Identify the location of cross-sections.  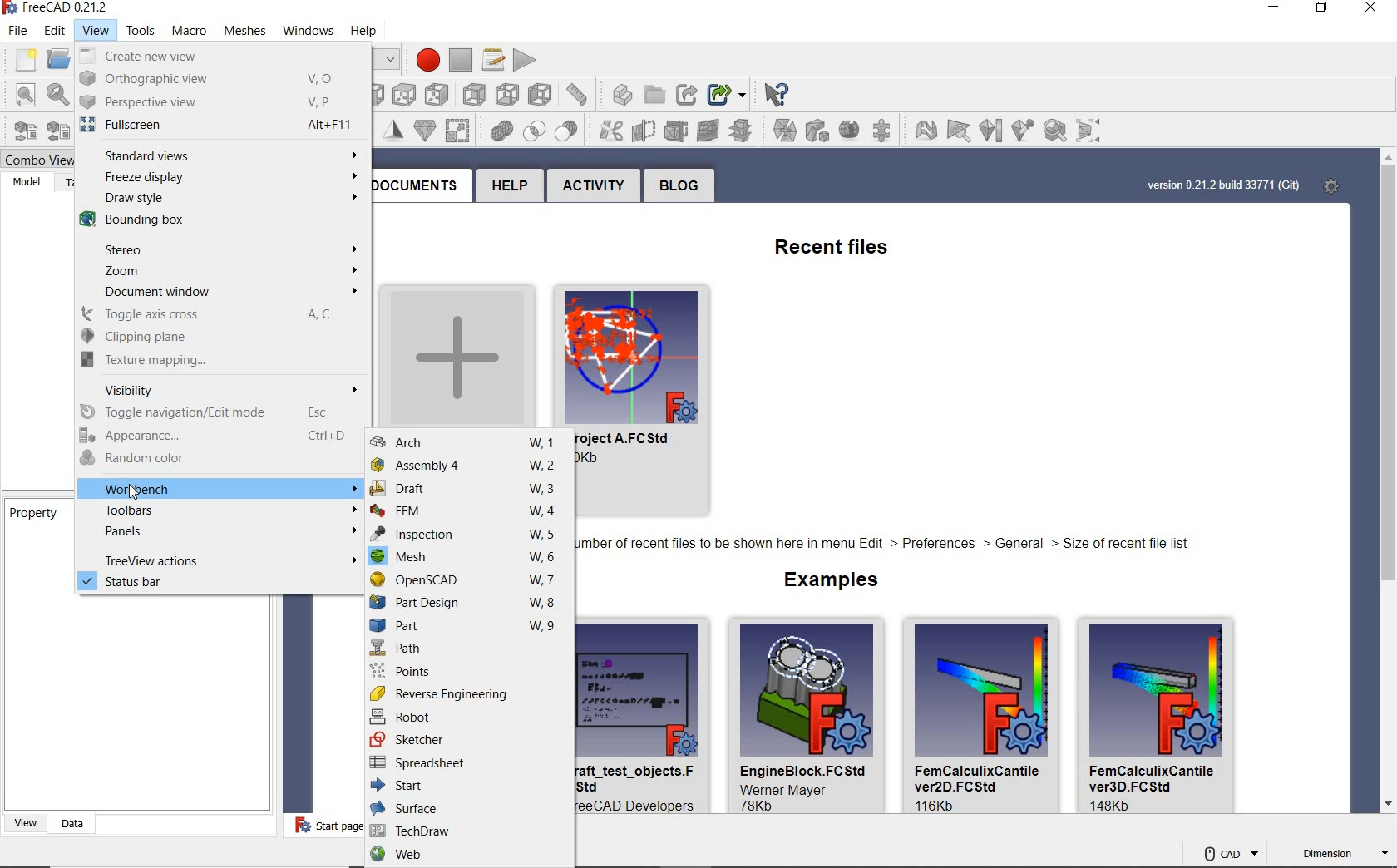
(712, 130).